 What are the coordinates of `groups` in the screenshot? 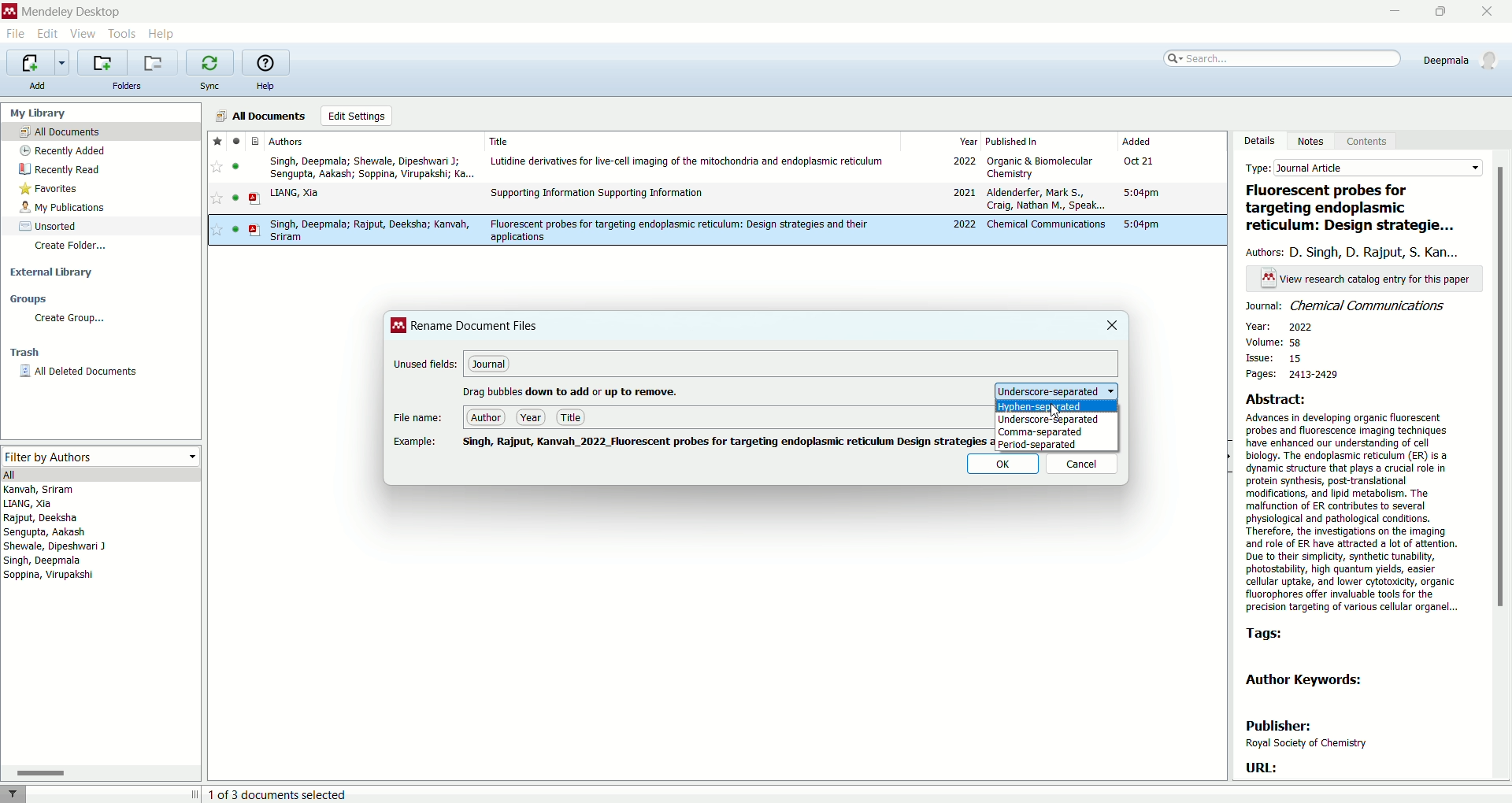 It's located at (28, 301).